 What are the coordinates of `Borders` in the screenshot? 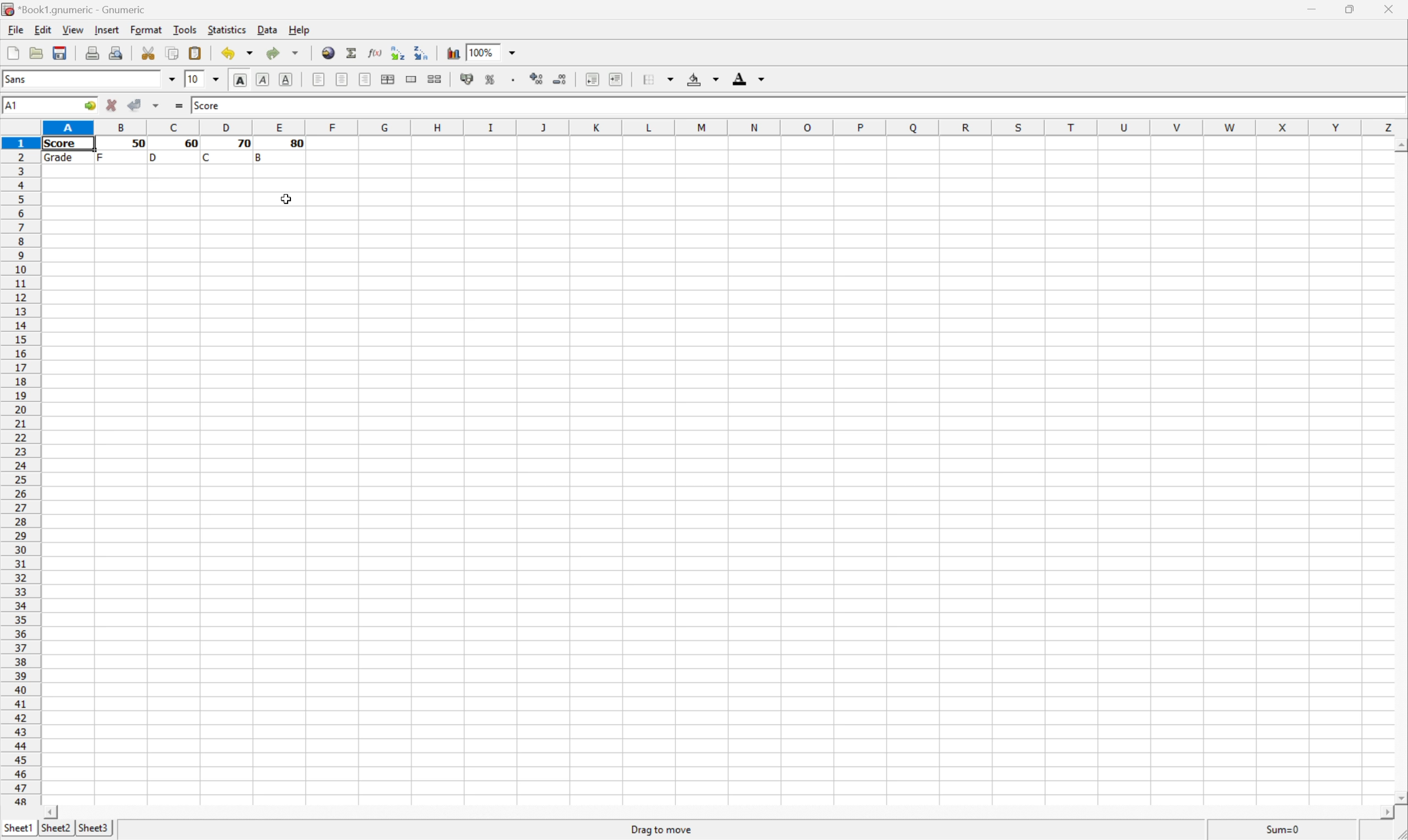 It's located at (660, 78).